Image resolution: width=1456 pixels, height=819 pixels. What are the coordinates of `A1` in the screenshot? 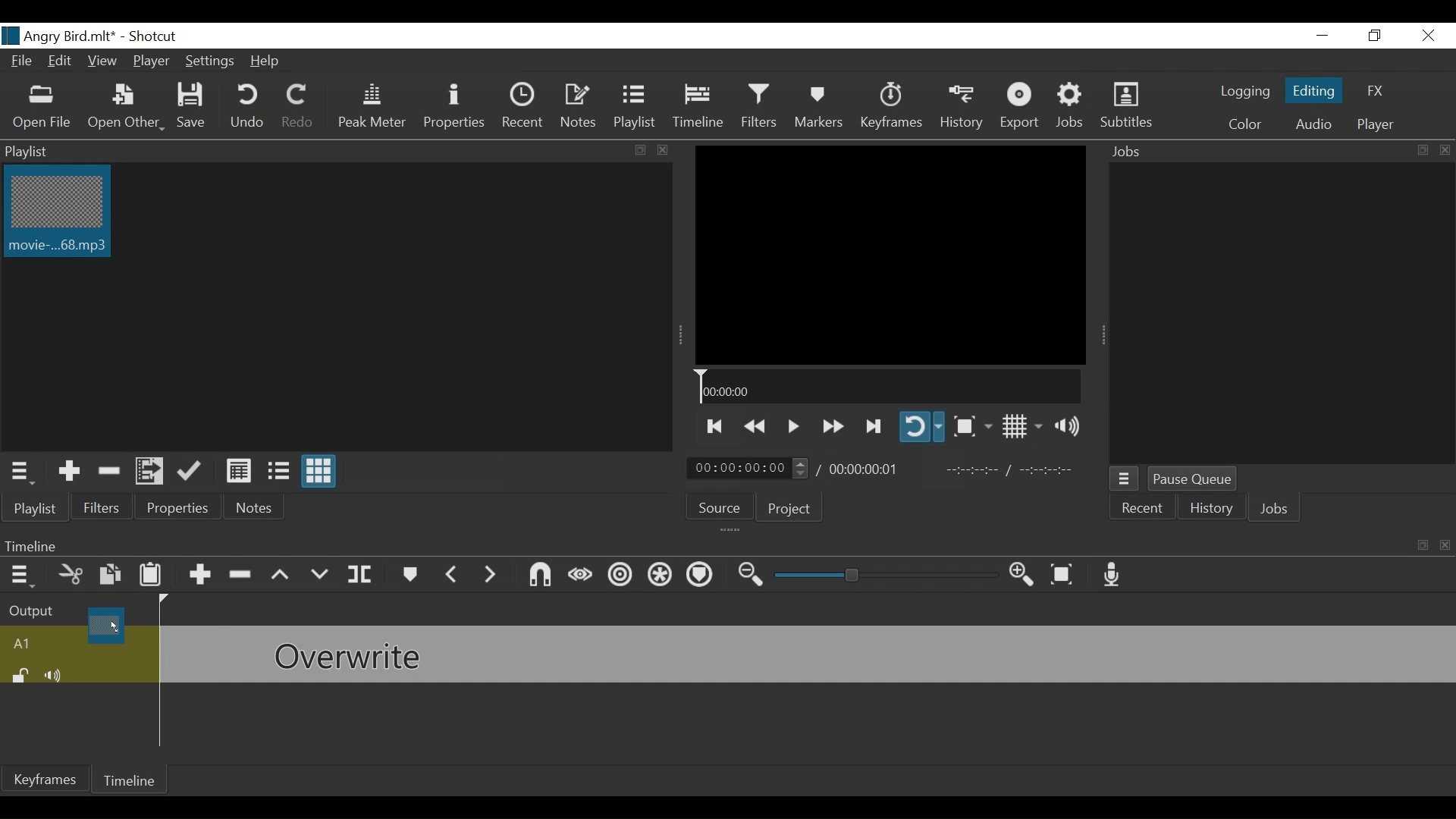 It's located at (77, 642).